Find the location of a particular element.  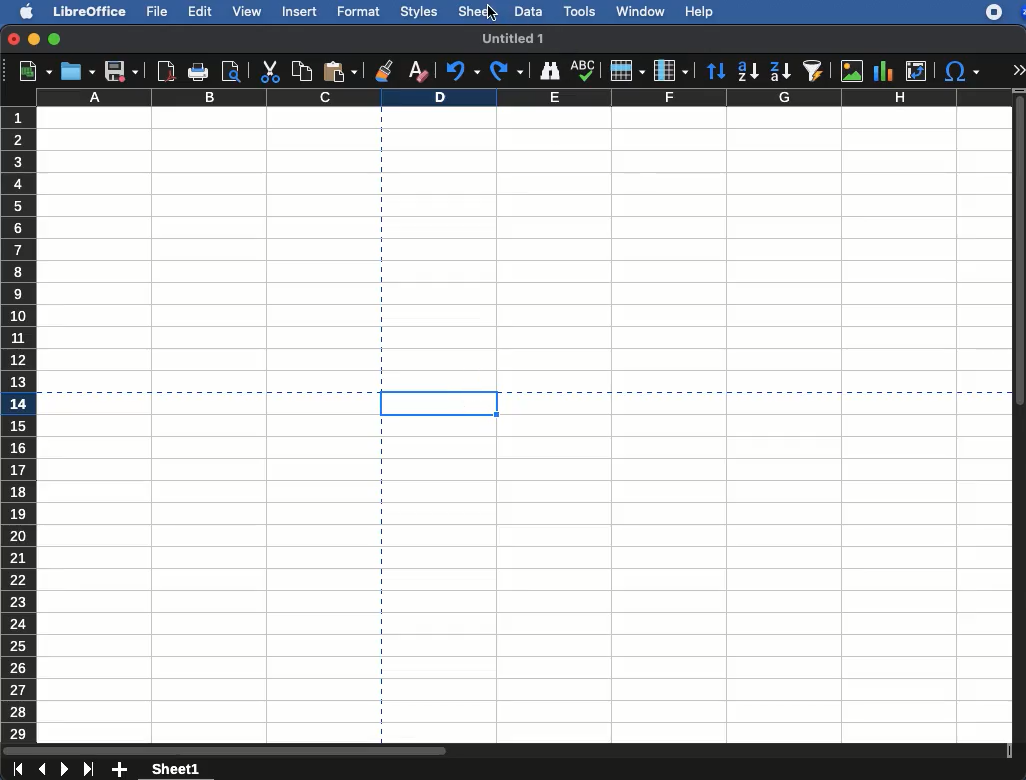

styles is located at coordinates (420, 11).